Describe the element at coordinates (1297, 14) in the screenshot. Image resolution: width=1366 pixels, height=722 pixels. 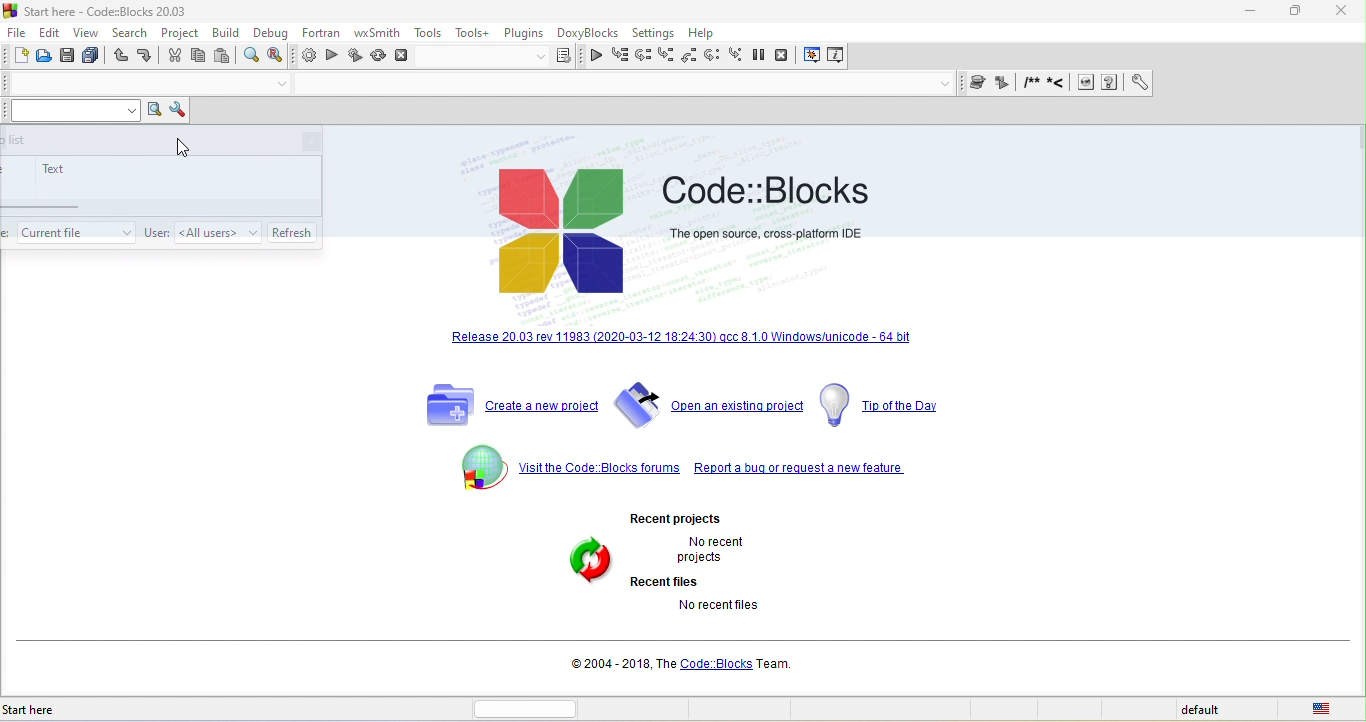
I see `maximize` at that location.